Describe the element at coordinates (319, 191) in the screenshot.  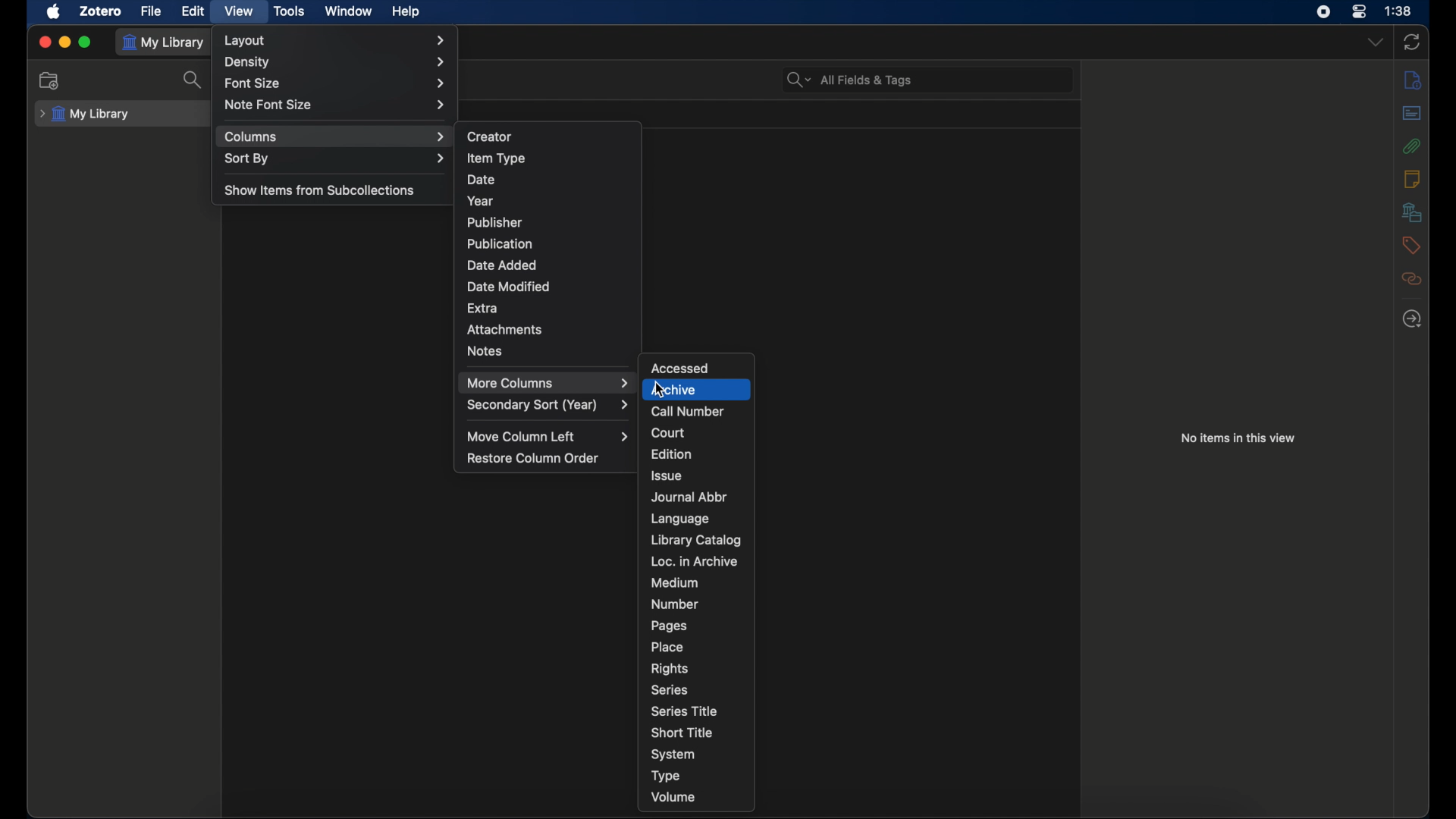
I see `show items for subcollection` at that location.